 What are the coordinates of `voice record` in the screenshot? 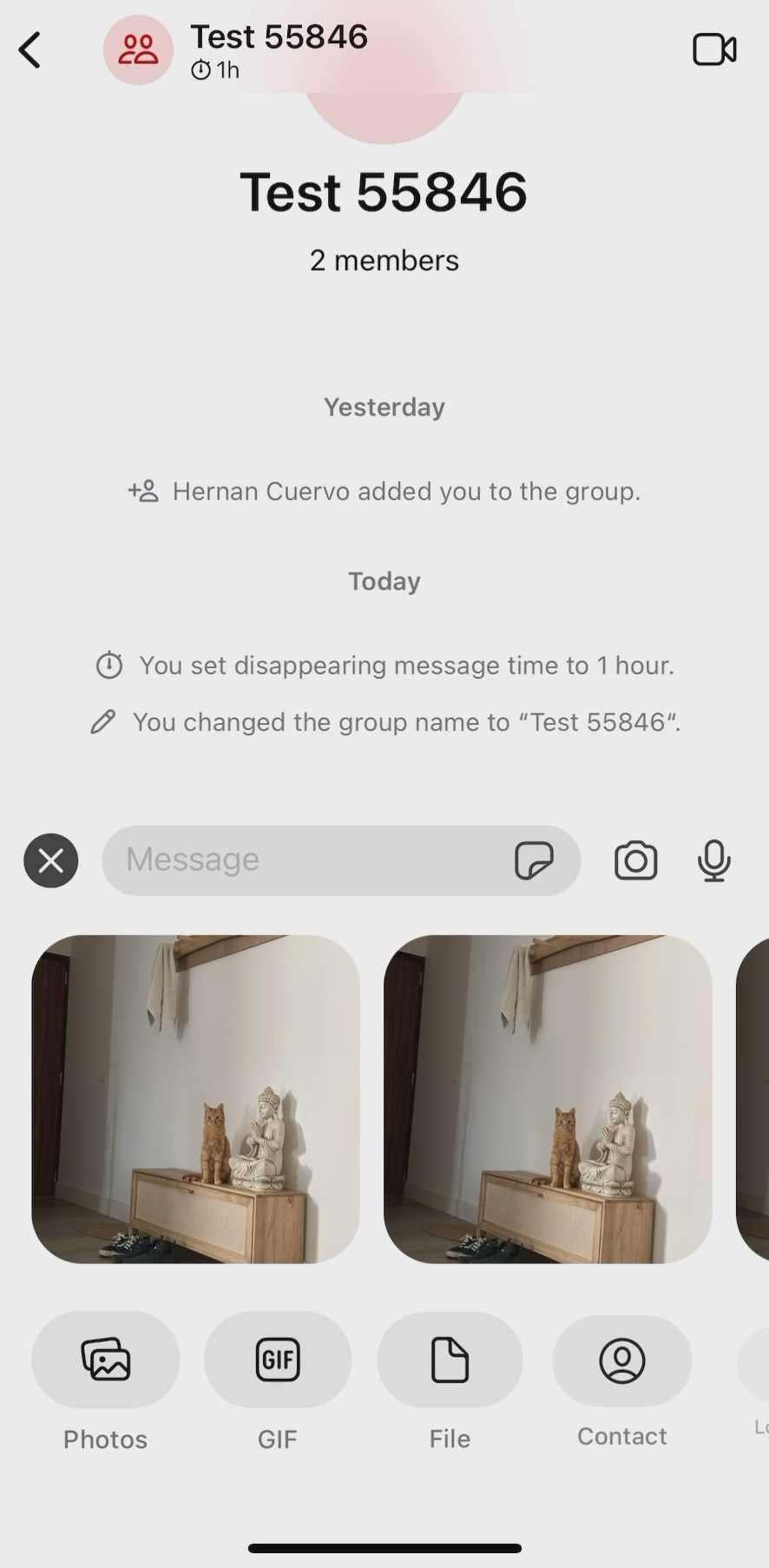 It's located at (712, 856).